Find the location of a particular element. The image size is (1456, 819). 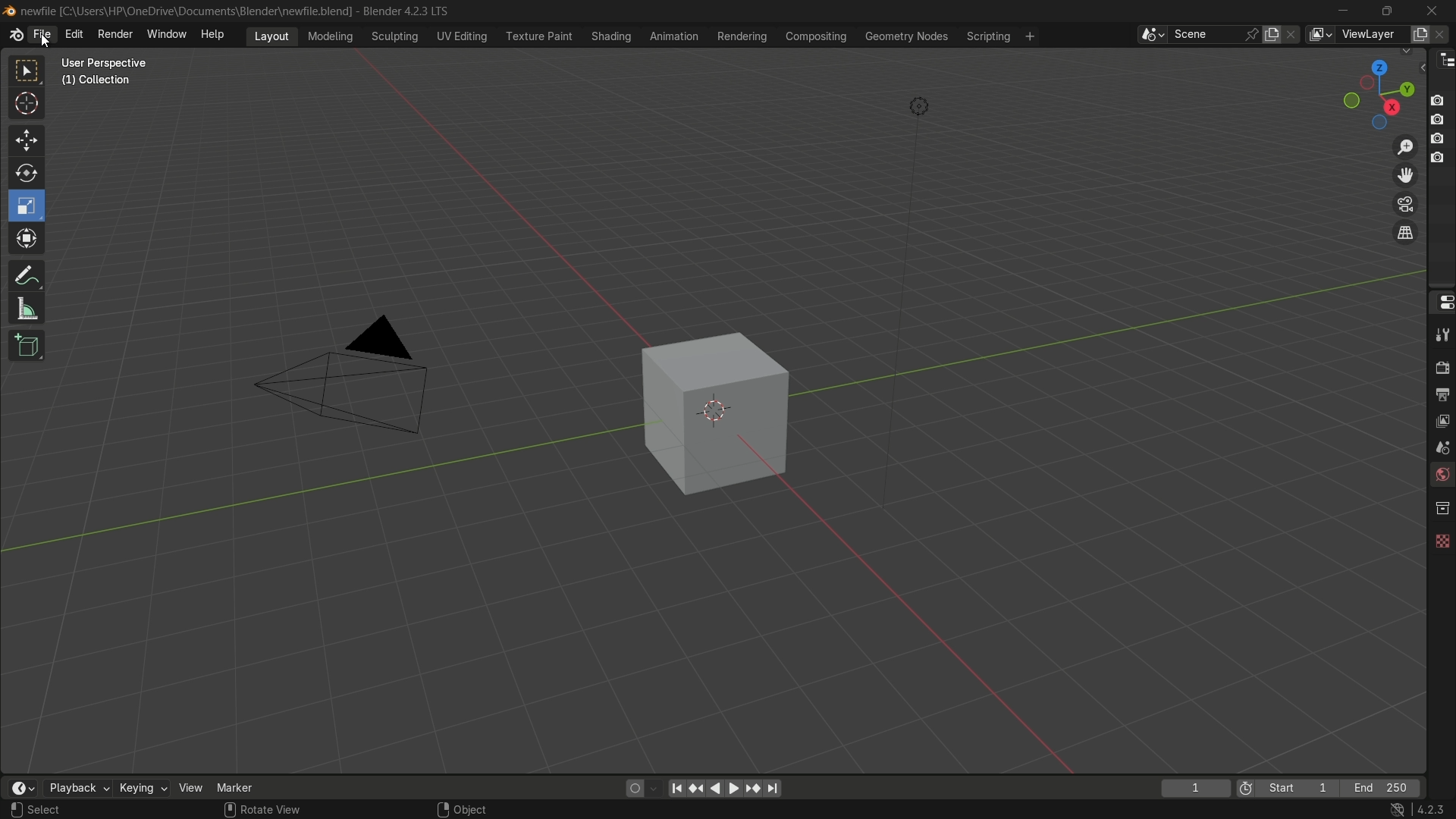

help menu is located at coordinates (216, 34).